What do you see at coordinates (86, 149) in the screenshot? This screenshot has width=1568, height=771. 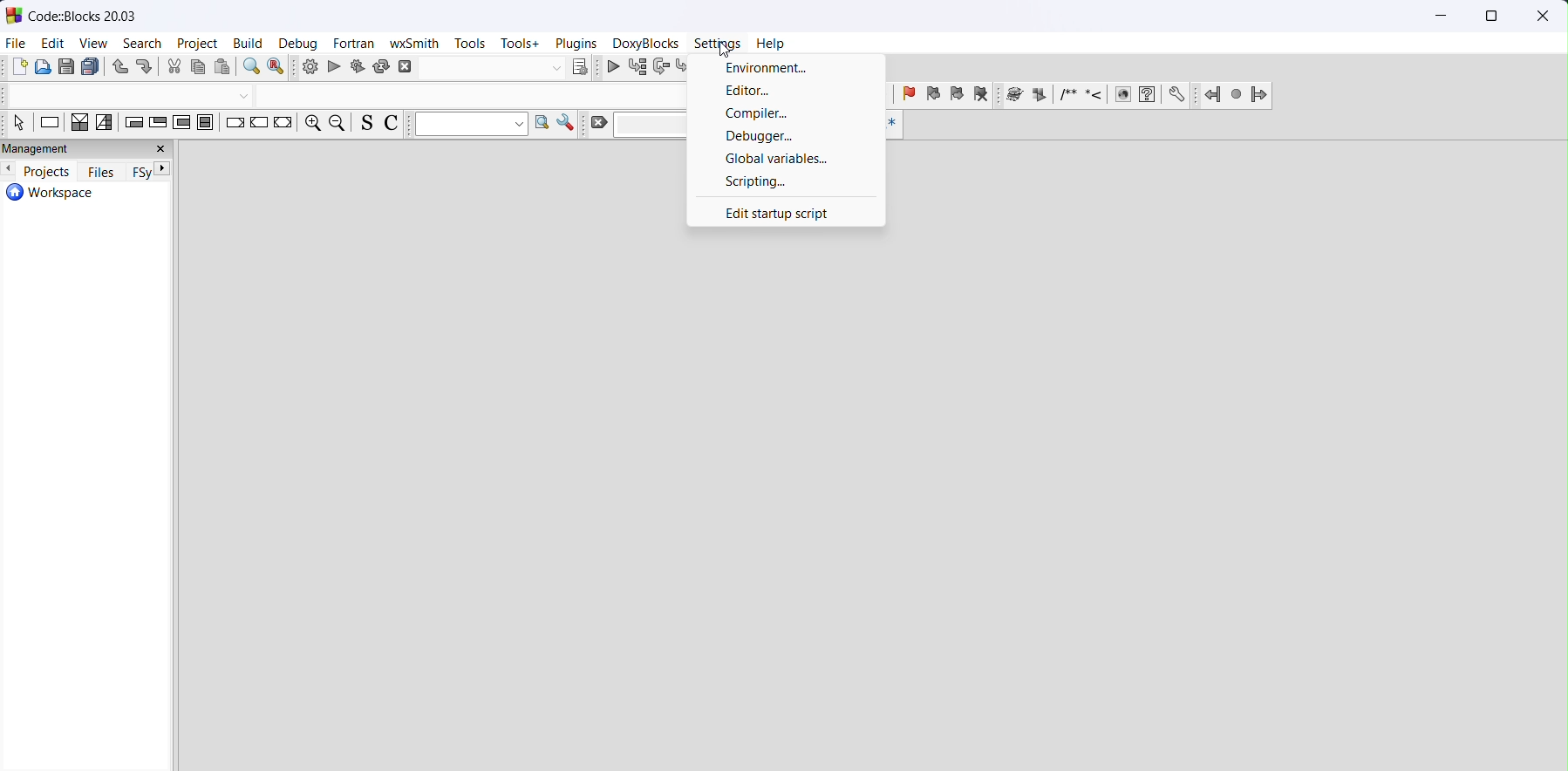 I see `management` at bounding box center [86, 149].